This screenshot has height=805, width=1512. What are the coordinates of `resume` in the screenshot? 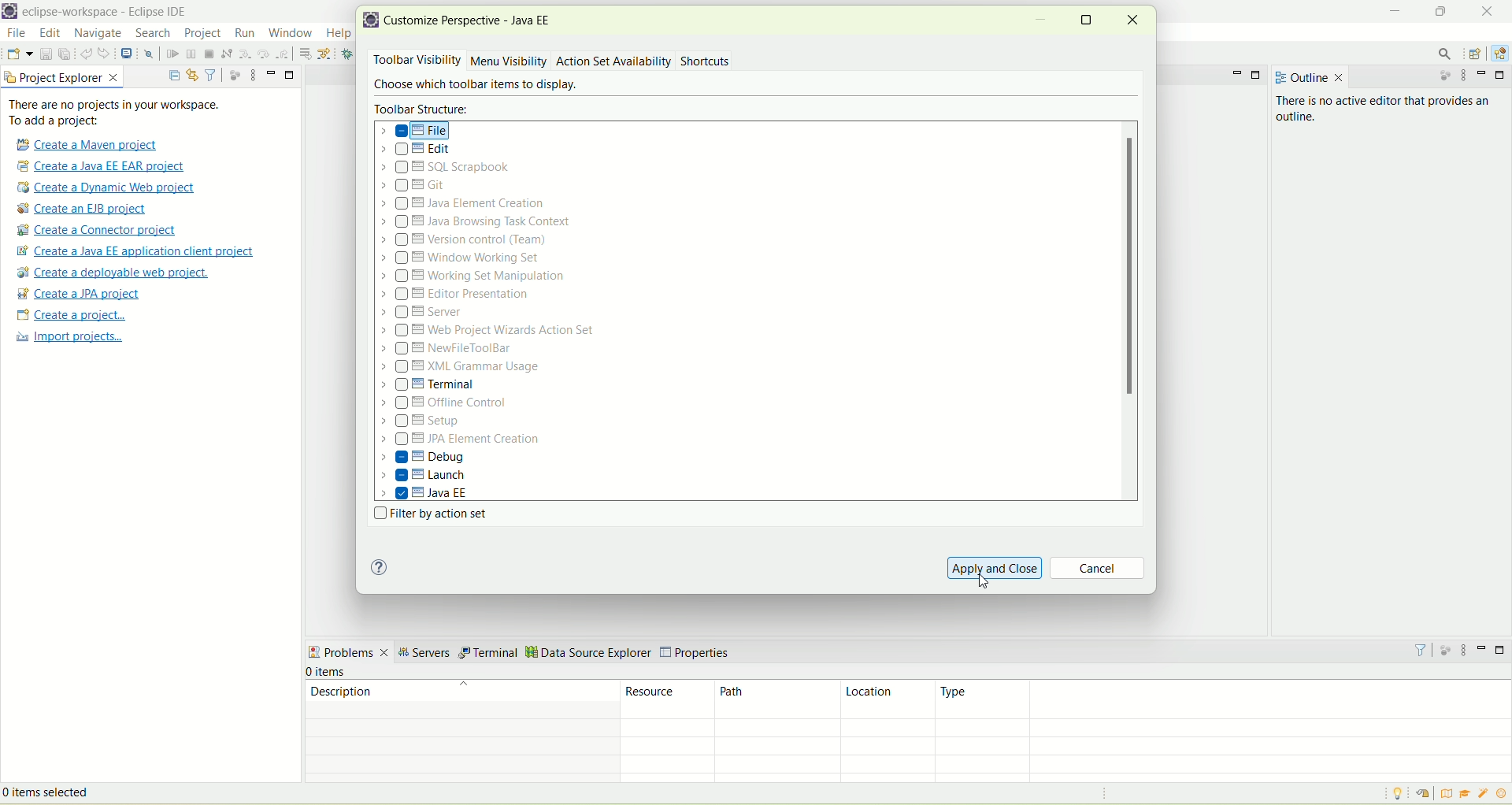 It's located at (172, 56).